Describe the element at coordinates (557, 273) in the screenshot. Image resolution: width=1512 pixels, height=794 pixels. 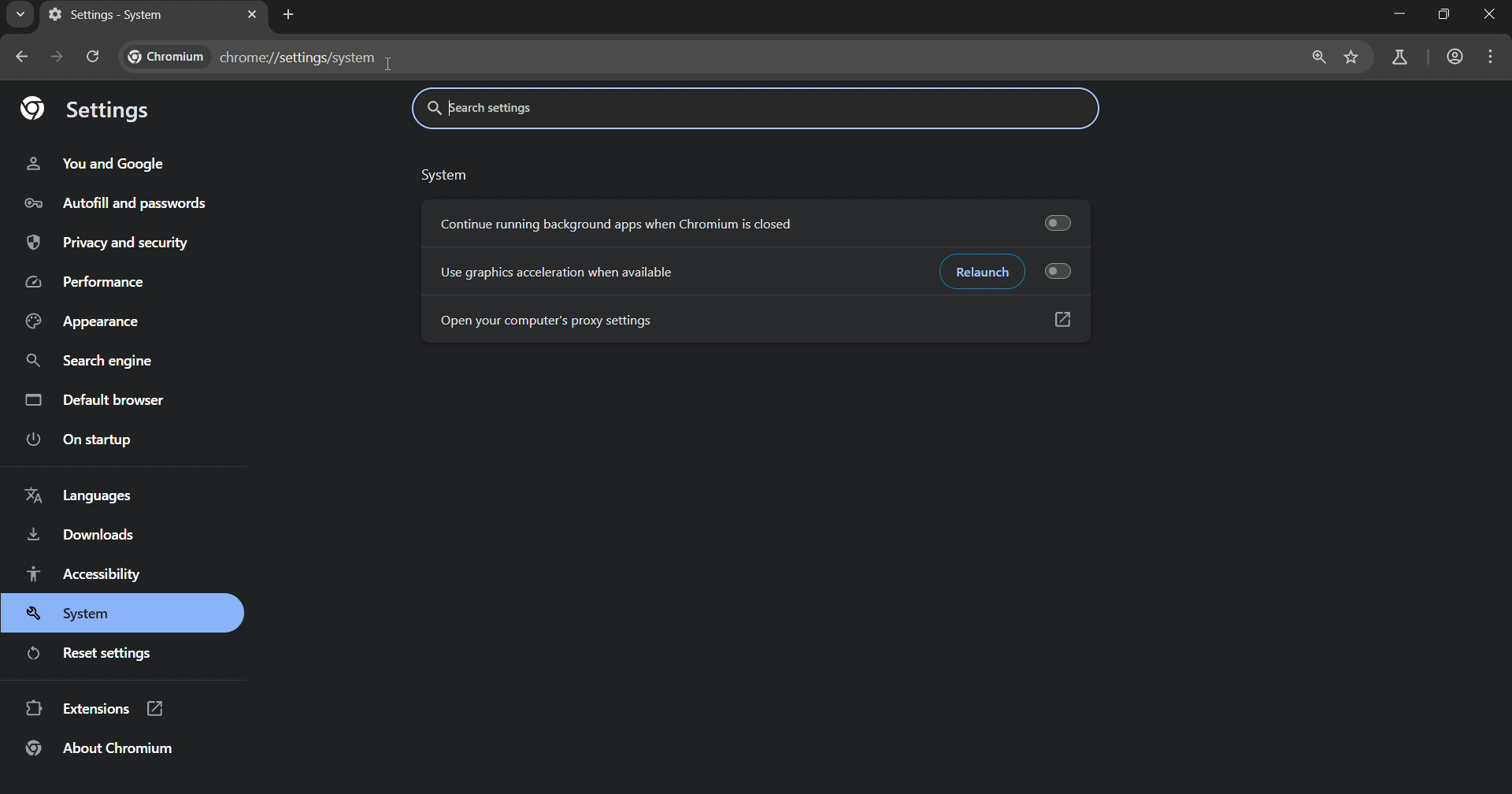
I see `use acceleration when available` at that location.